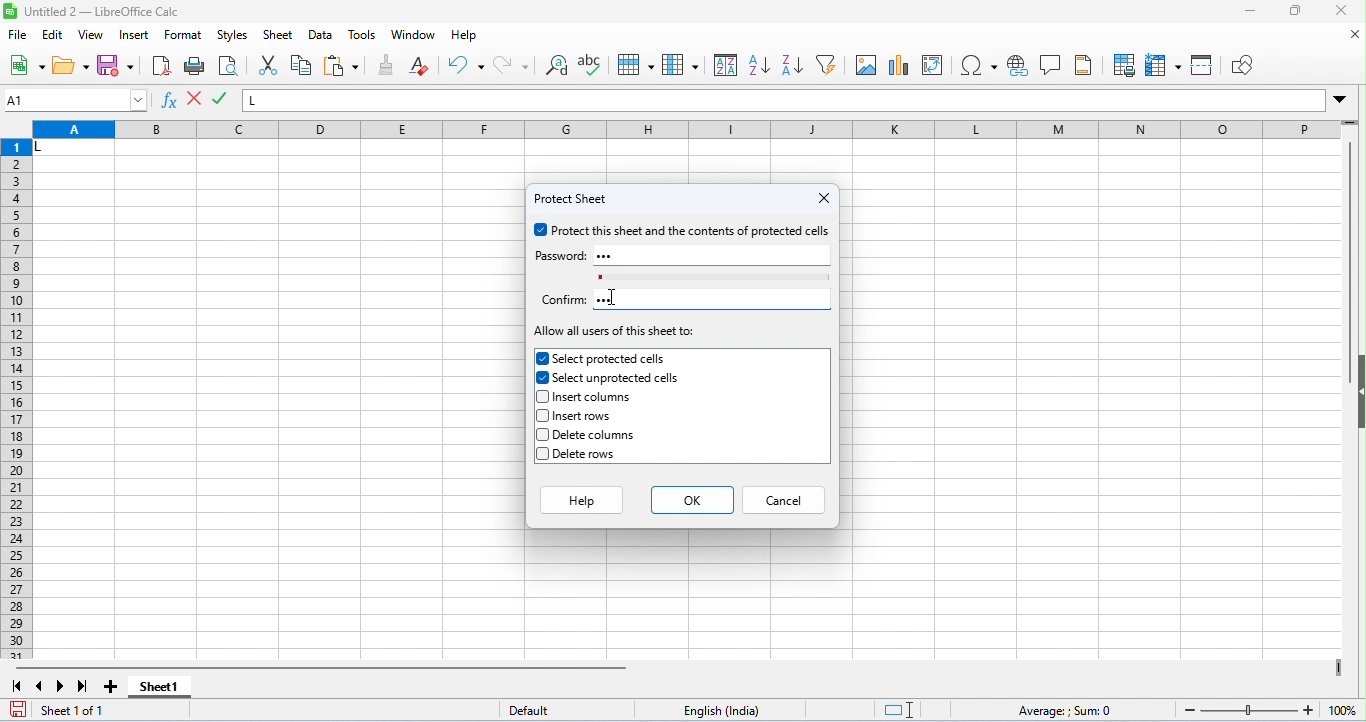 The height and width of the screenshot is (722, 1366). I want to click on insert special characters, so click(979, 65).